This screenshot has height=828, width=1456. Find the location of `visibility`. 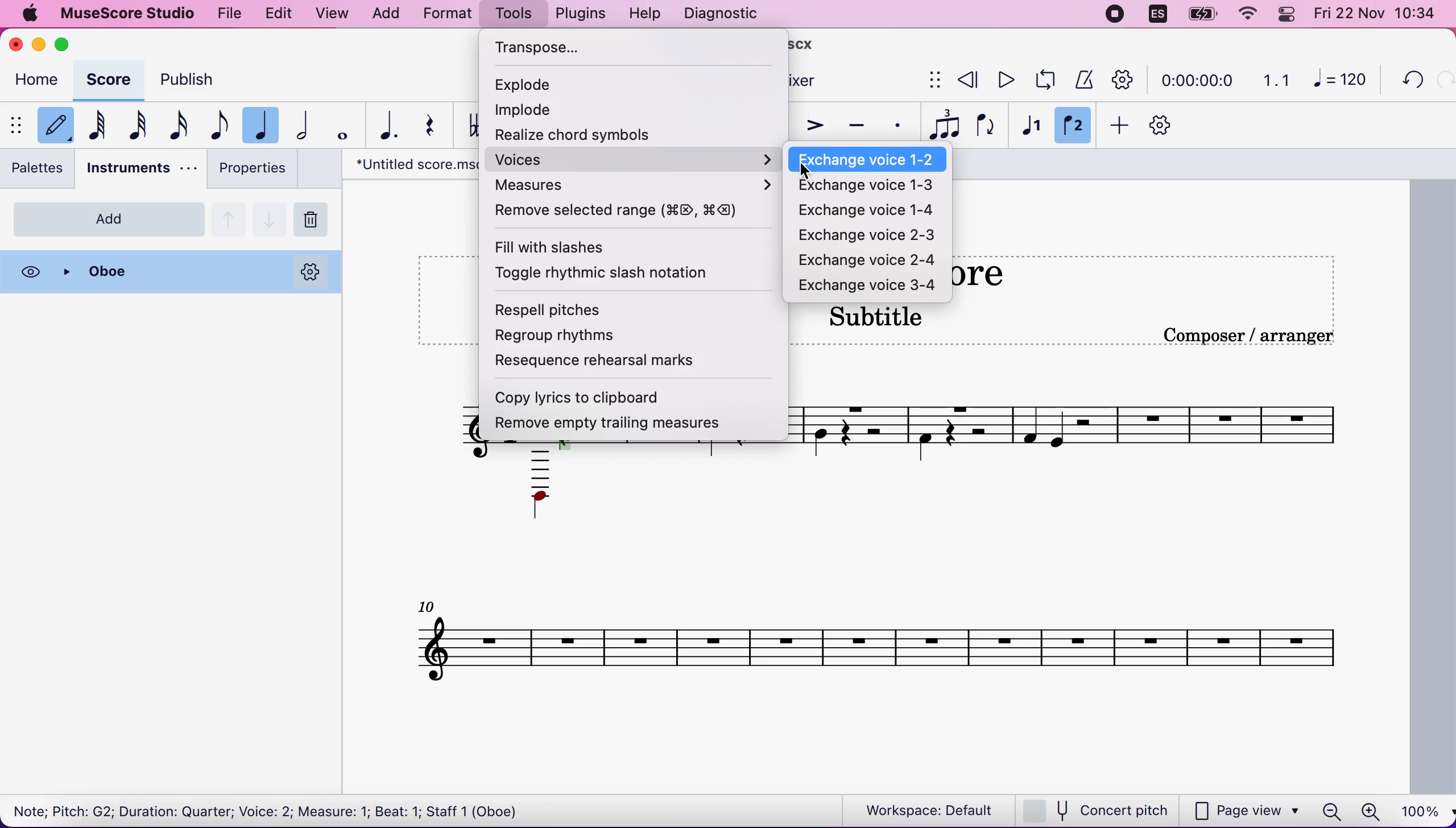

visibility is located at coordinates (30, 272).